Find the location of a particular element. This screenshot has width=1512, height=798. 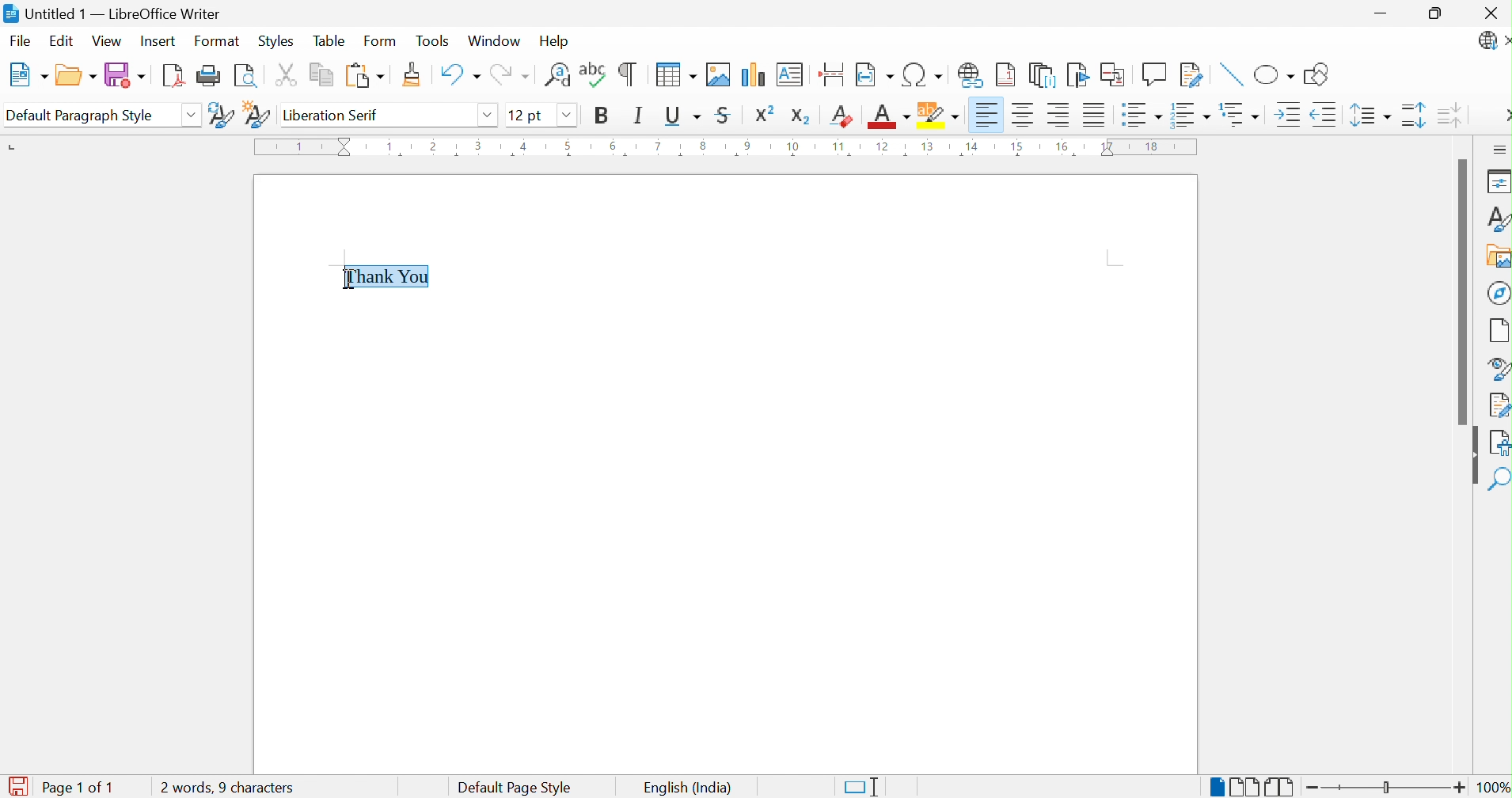

Tools is located at coordinates (433, 42).